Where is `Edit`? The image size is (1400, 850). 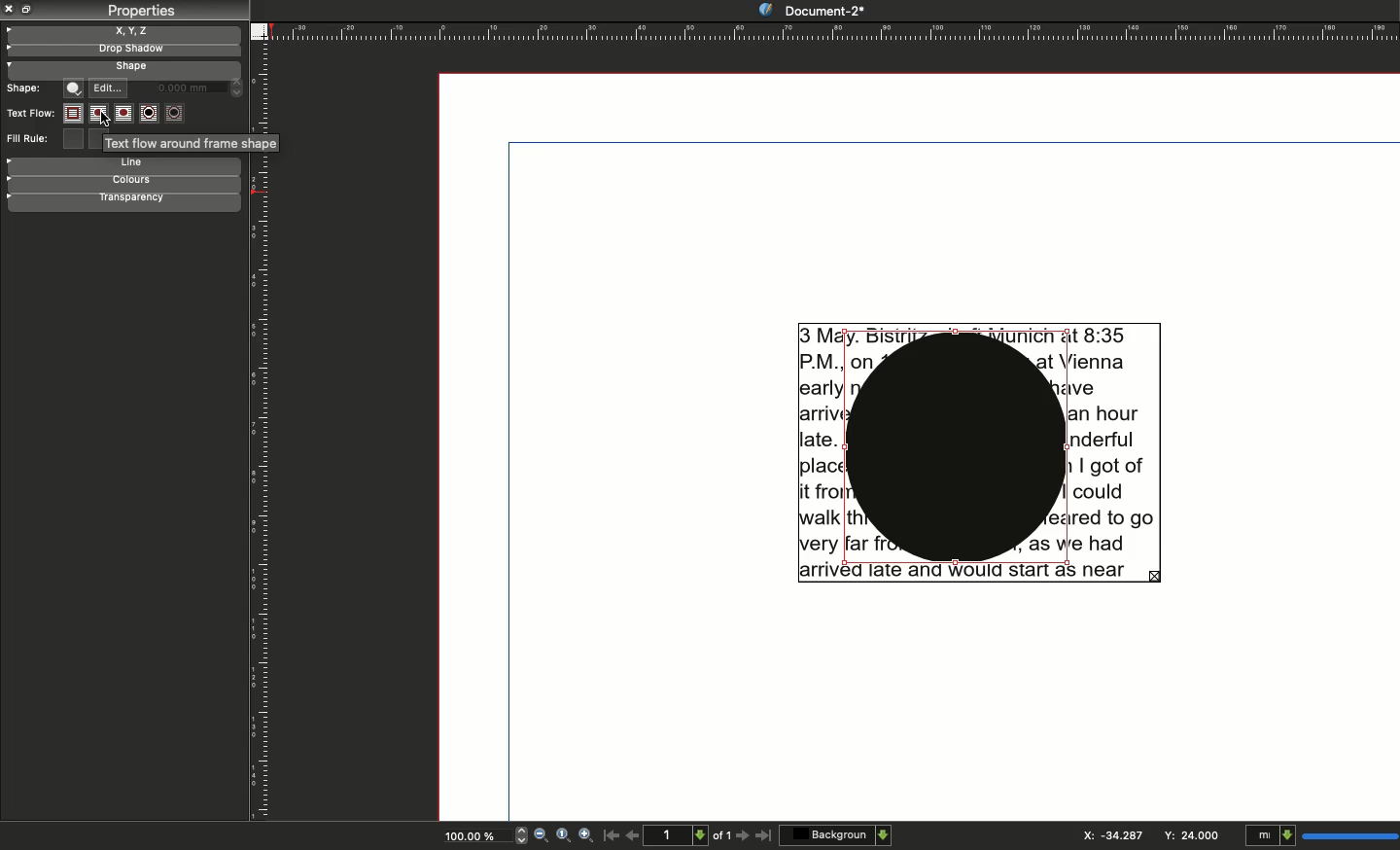 Edit is located at coordinates (108, 85).